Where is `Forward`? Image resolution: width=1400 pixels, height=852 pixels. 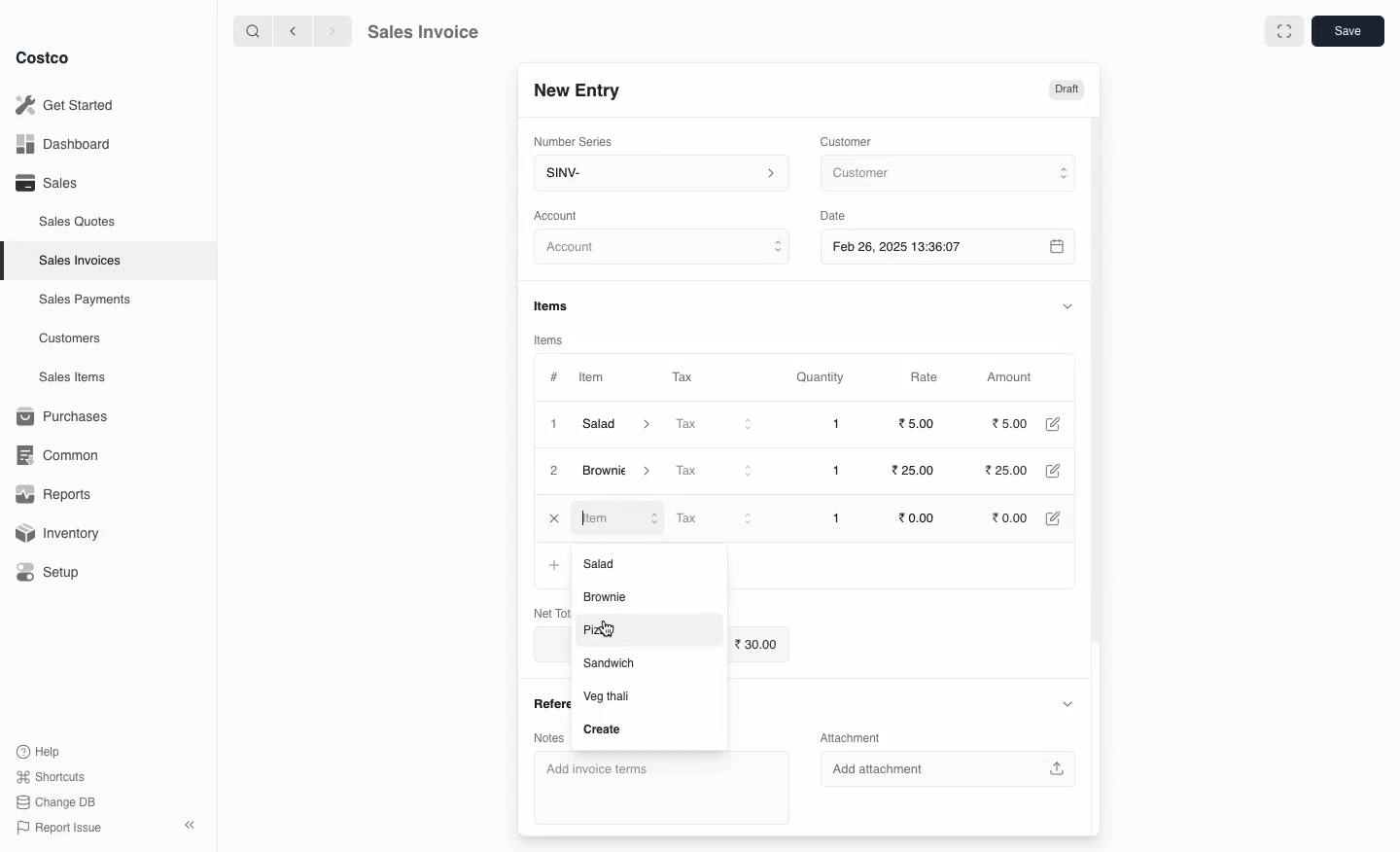 Forward is located at coordinates (332, 32).